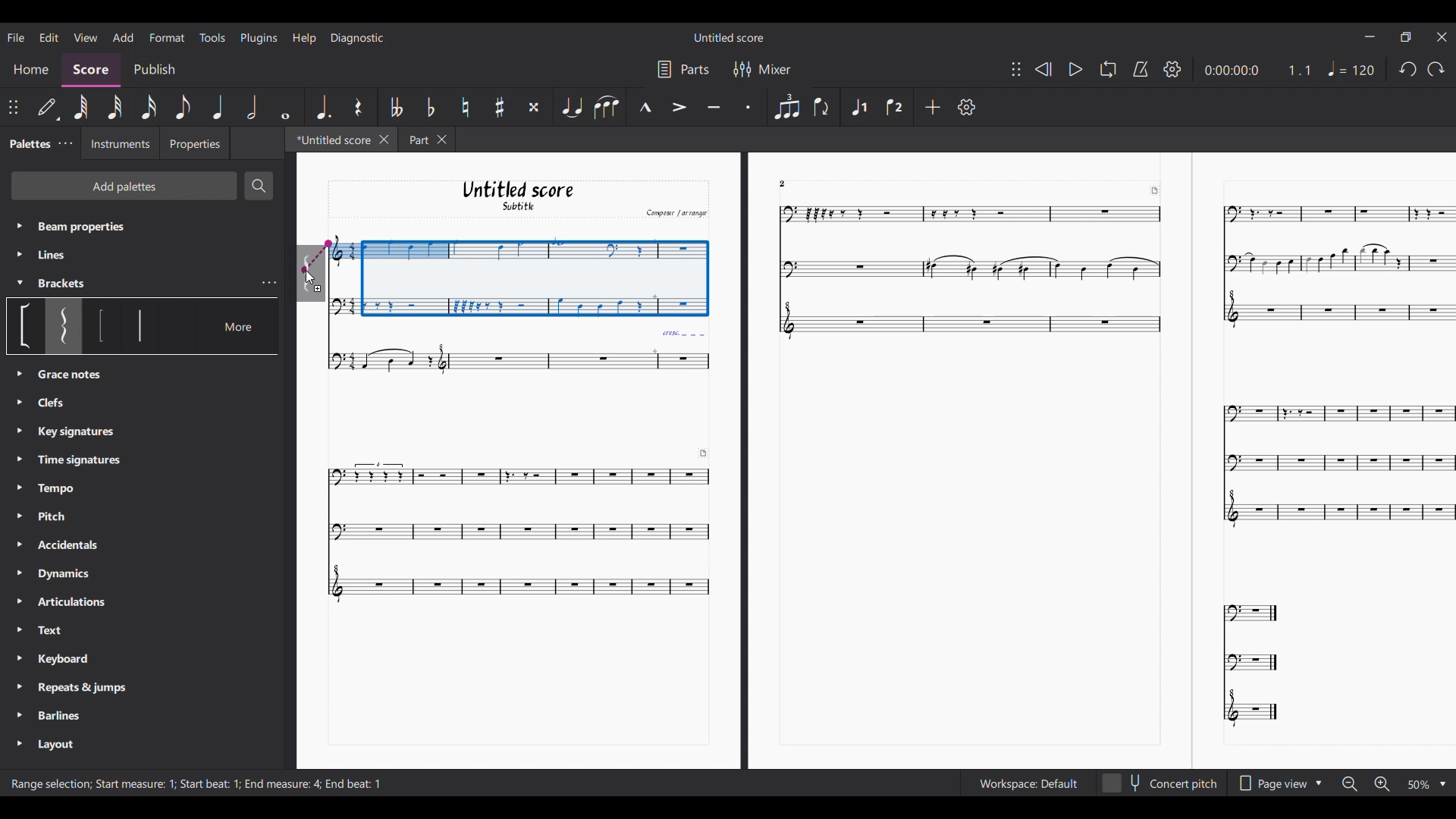 This screenshot has height=819, width=1456. I want to click on Undo, so click(1436, 72).